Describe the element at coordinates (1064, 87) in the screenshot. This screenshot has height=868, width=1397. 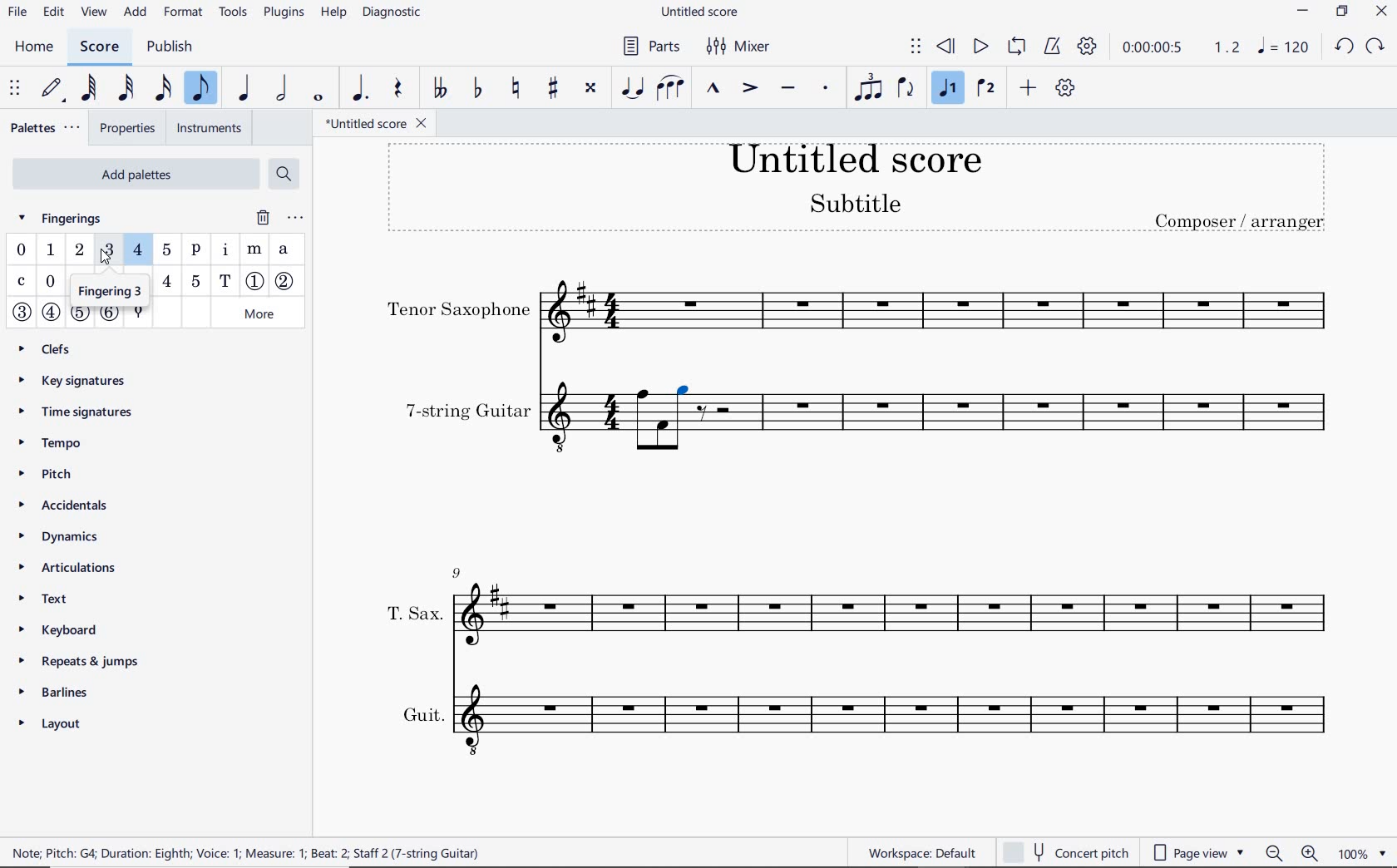
I see `CUSTOMIZE TOOLBAR` at that location.